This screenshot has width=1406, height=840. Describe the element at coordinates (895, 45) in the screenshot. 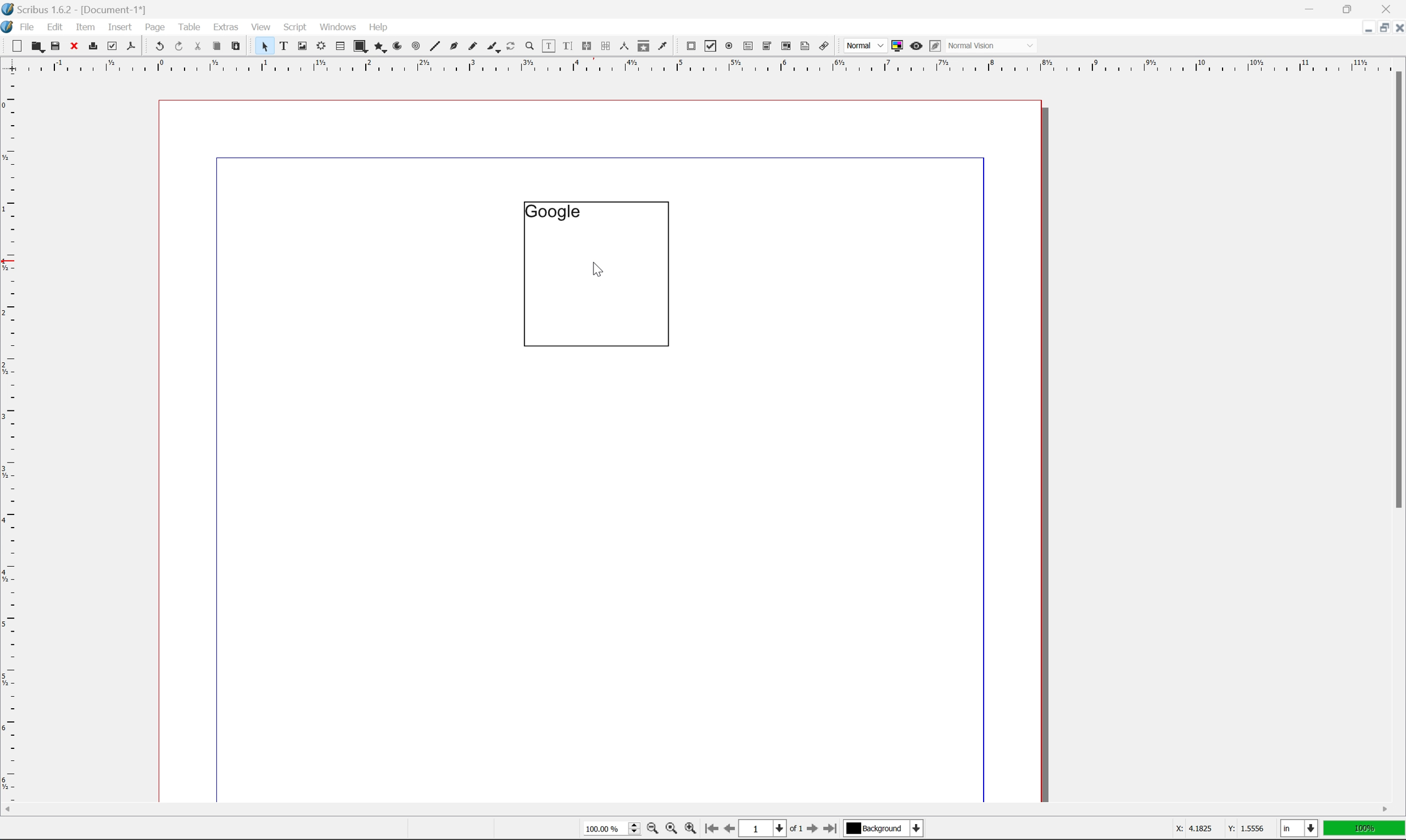

I see `toggle color management system` at that location.